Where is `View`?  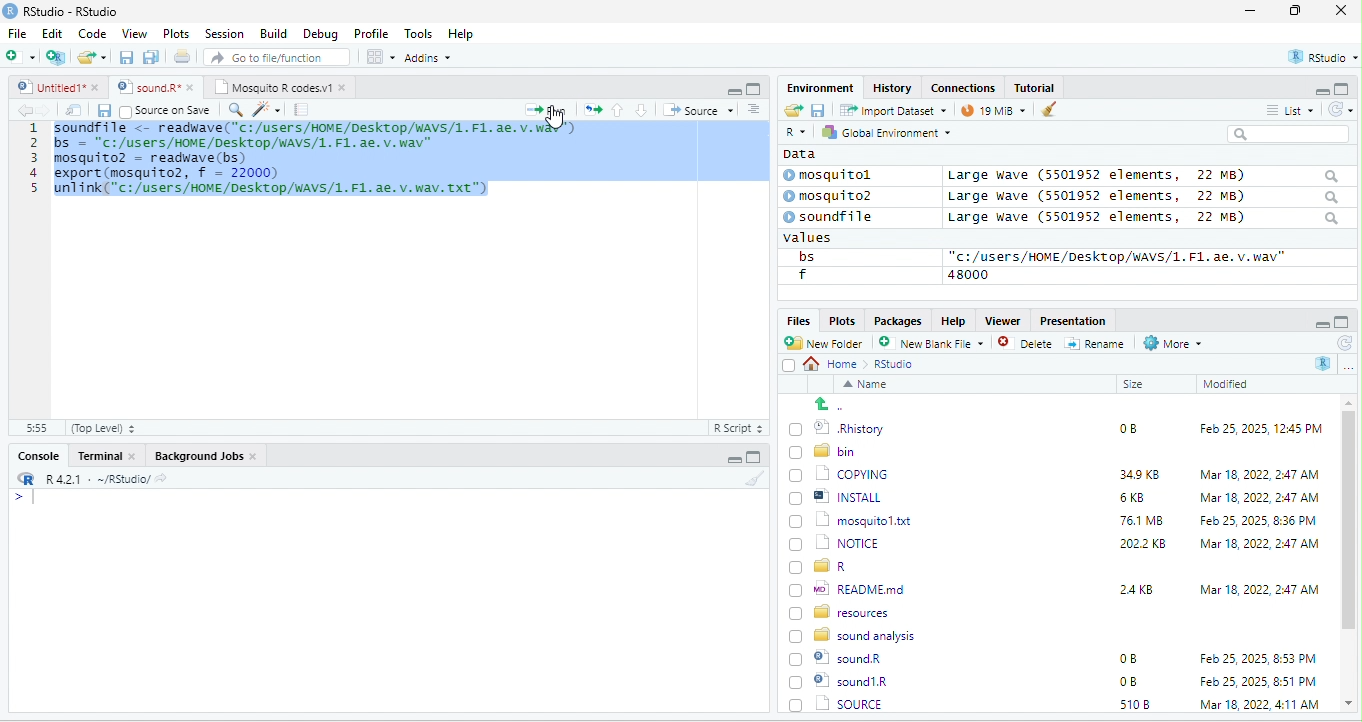
View is located at coordinates (133, 35).